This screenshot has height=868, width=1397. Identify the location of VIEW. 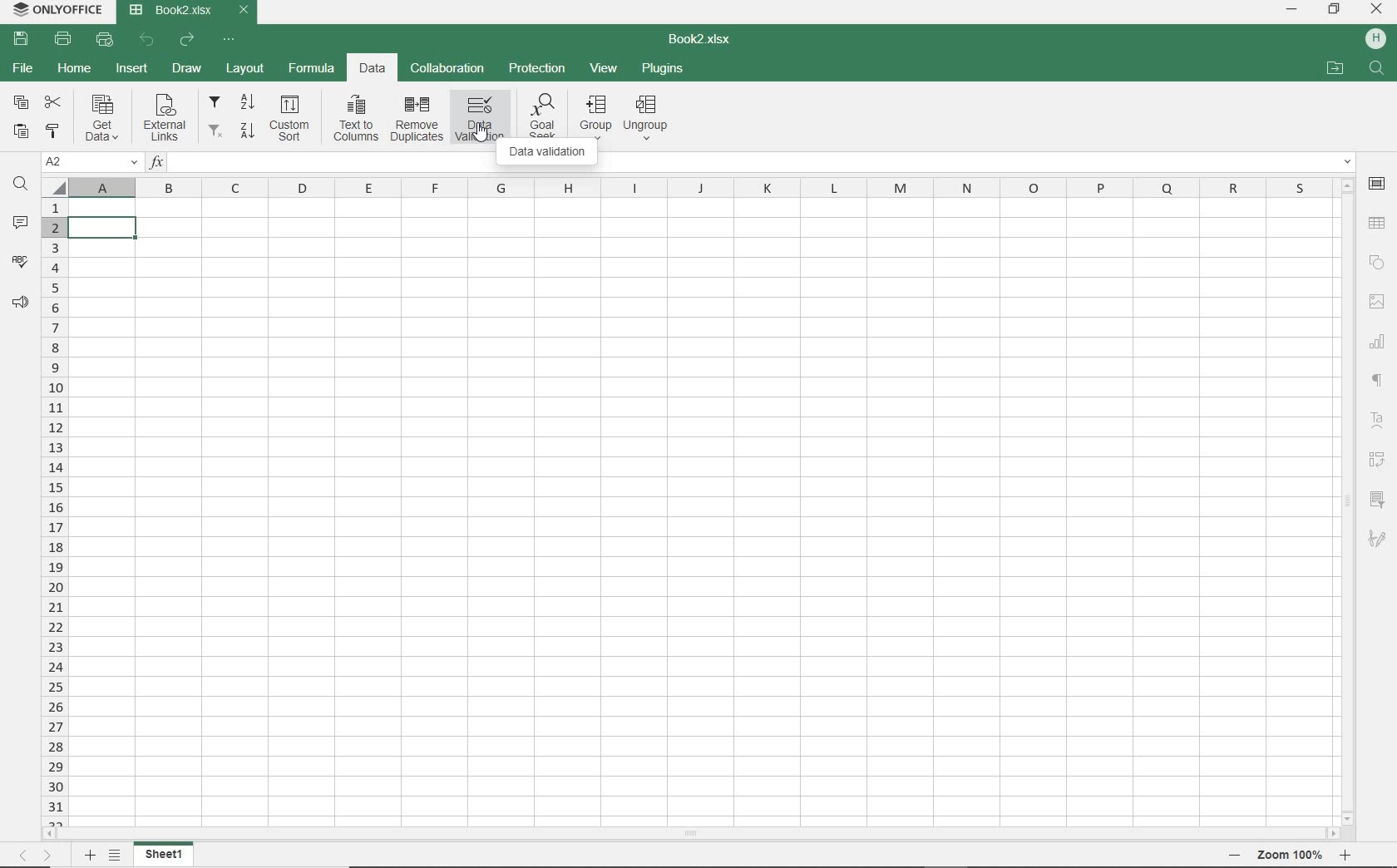
(605, 67).